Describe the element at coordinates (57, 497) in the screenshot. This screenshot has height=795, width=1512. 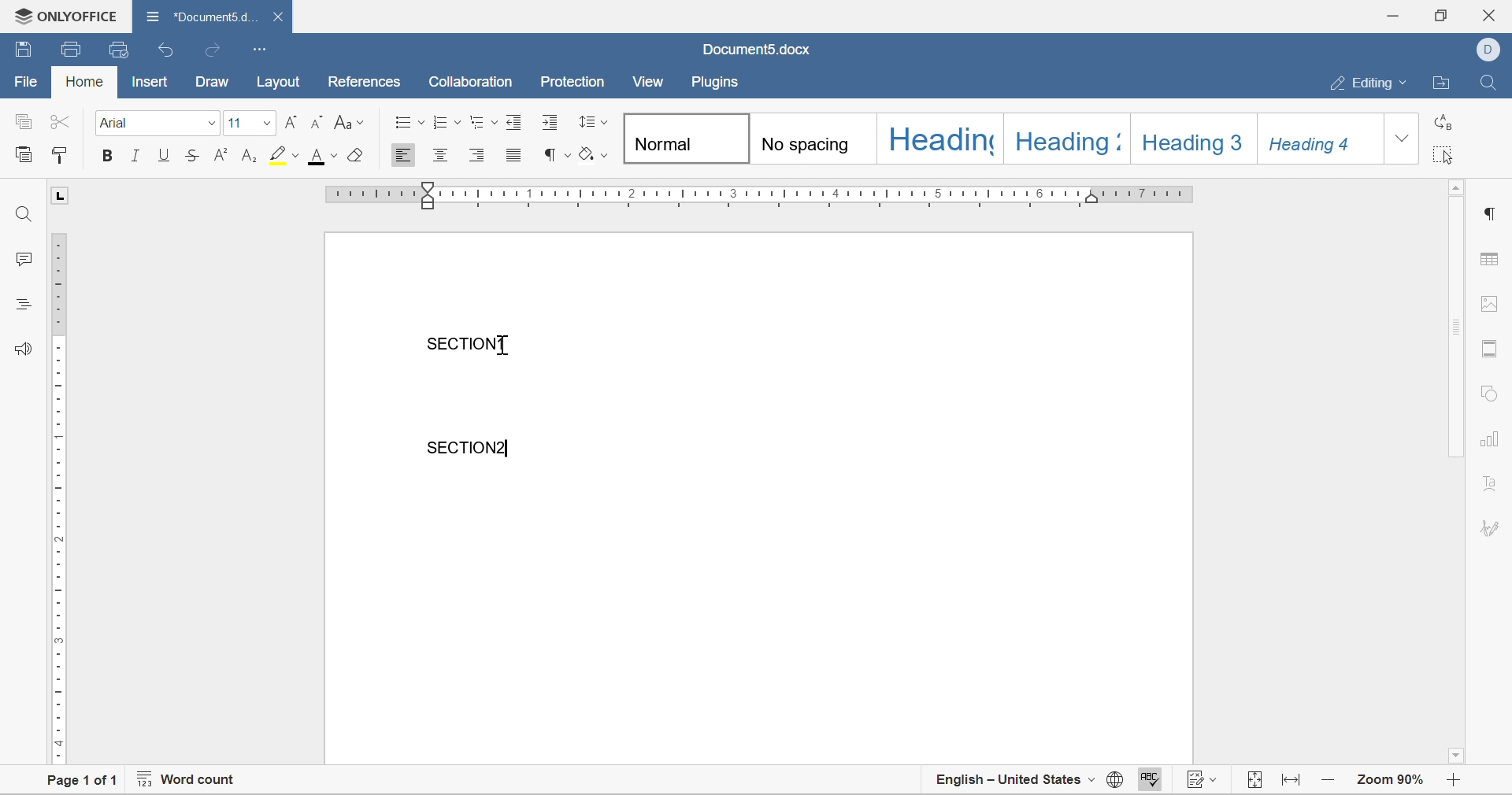
I see `ruler` at that location.